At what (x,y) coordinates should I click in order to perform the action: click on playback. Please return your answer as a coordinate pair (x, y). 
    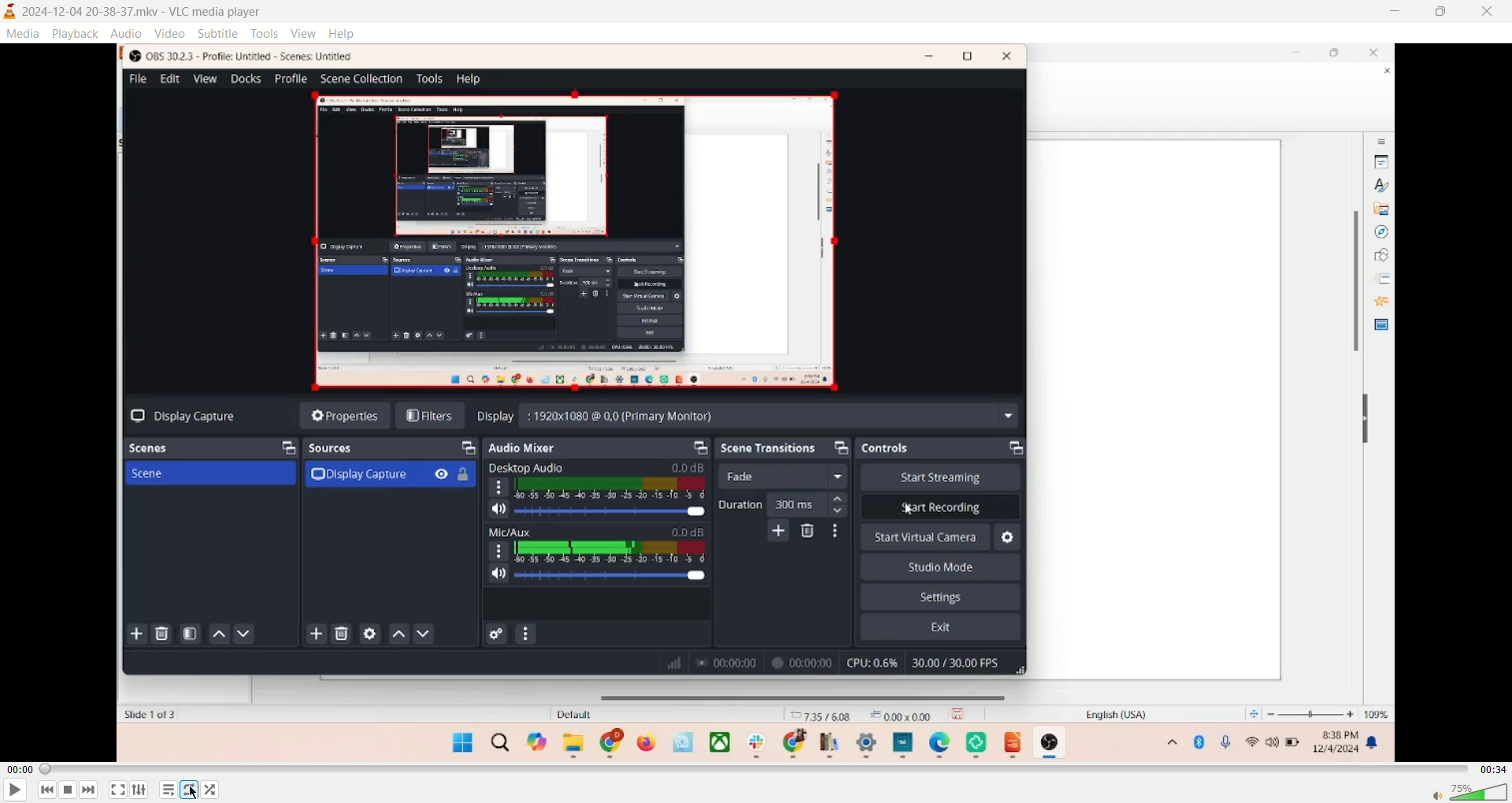
    Looking at the image, I should click on (73, 34).